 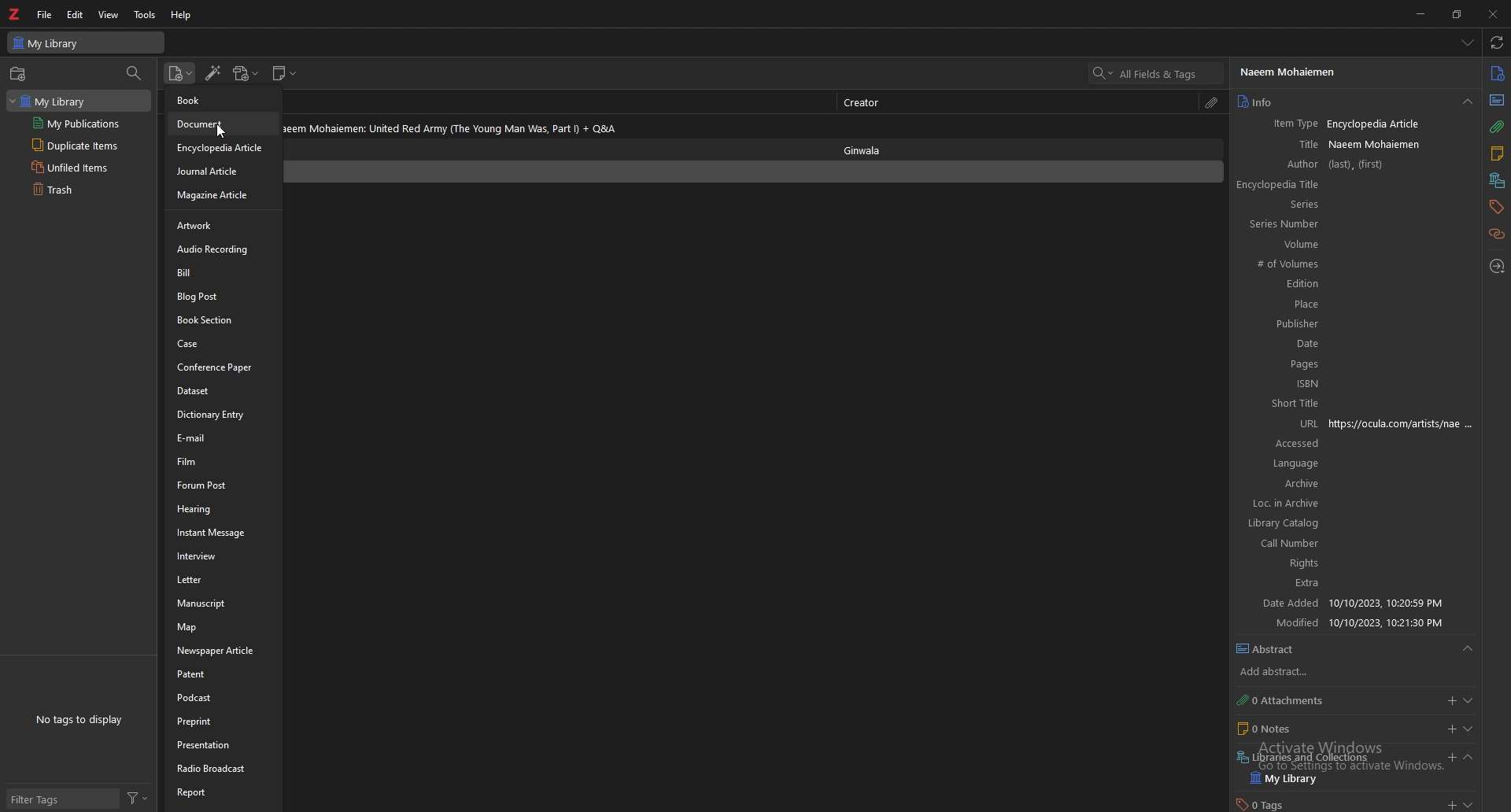 I want to click on view, so click(x=109, y=14).